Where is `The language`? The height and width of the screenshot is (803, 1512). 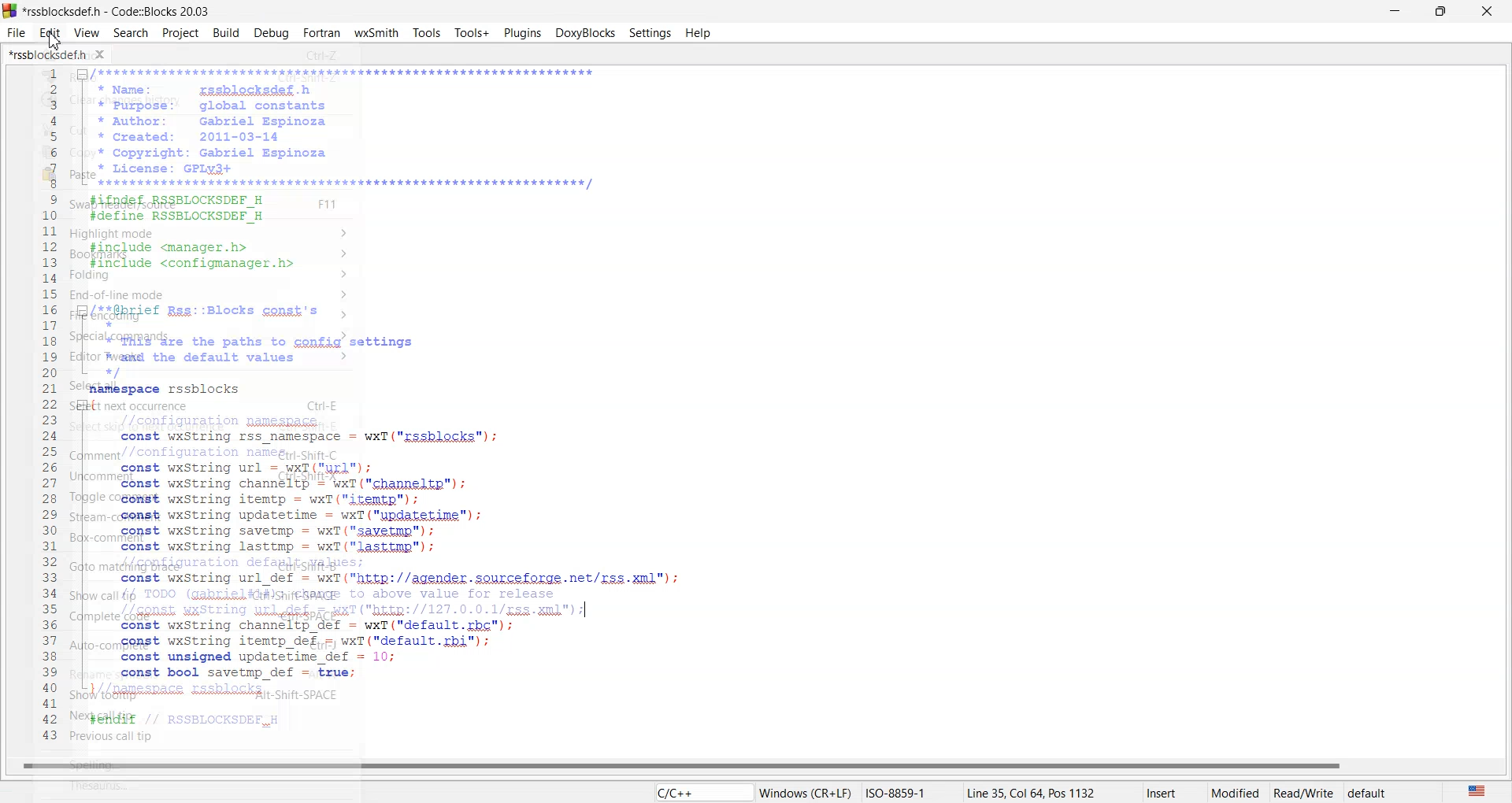 The language is located at coordinates (1476, 790).